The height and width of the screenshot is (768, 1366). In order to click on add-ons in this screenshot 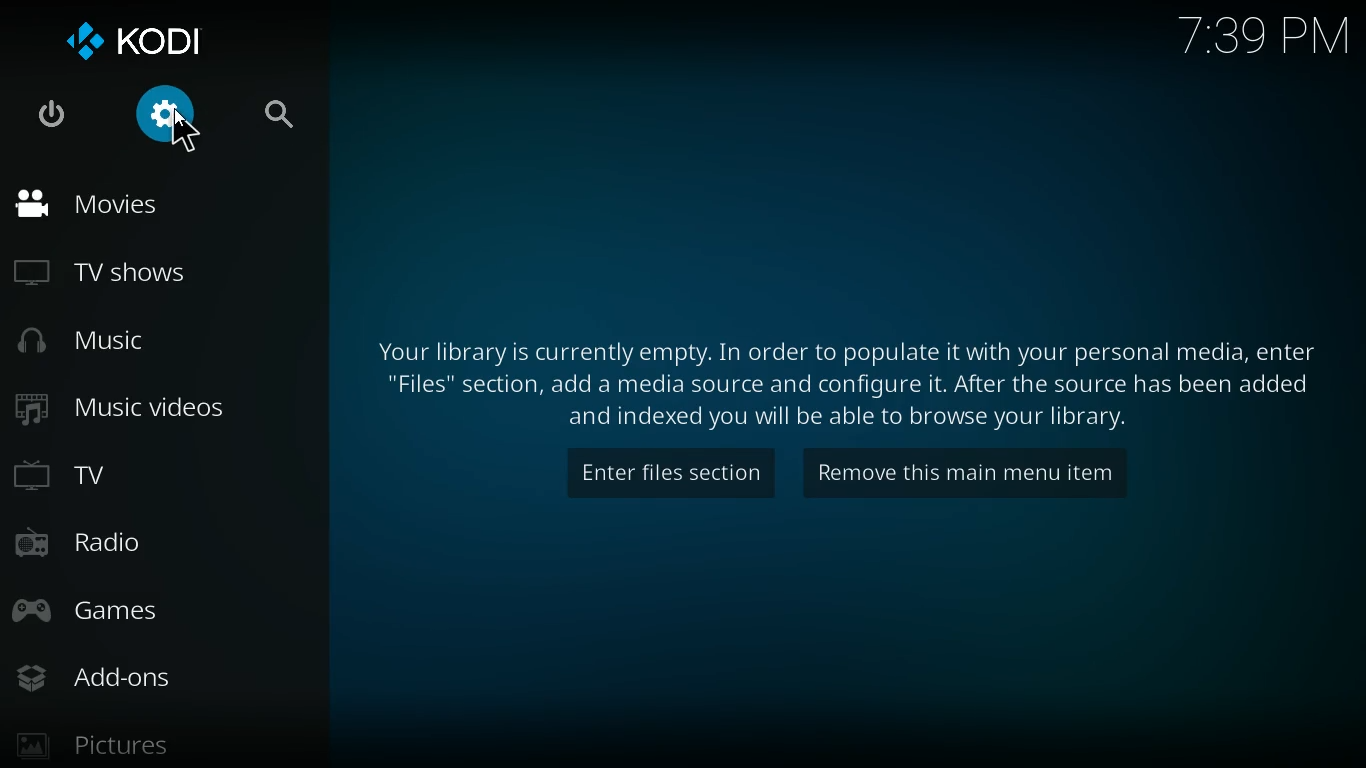, I will do `click(111, 672)`.